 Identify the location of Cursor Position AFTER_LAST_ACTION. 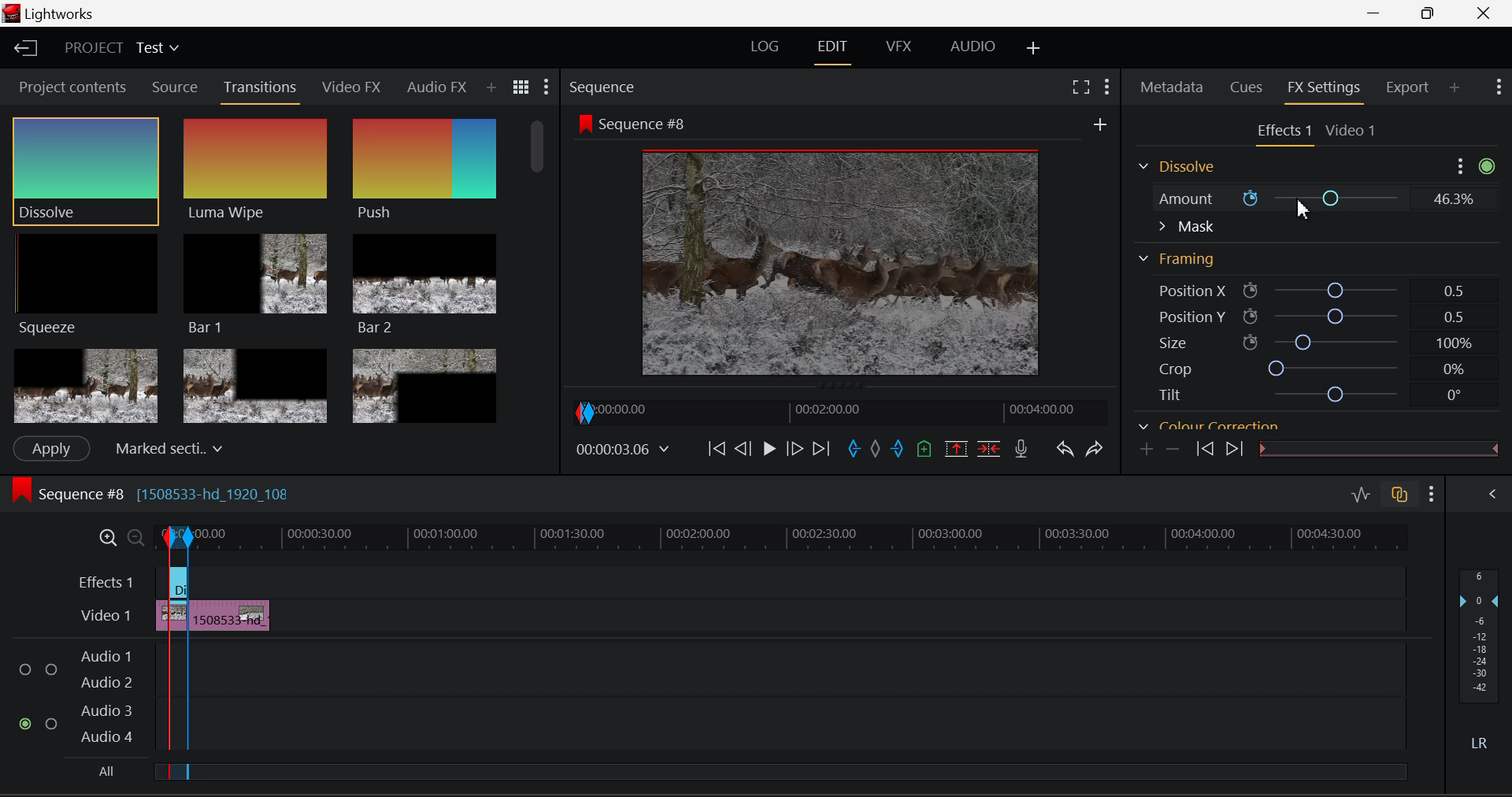
(1300, 209).